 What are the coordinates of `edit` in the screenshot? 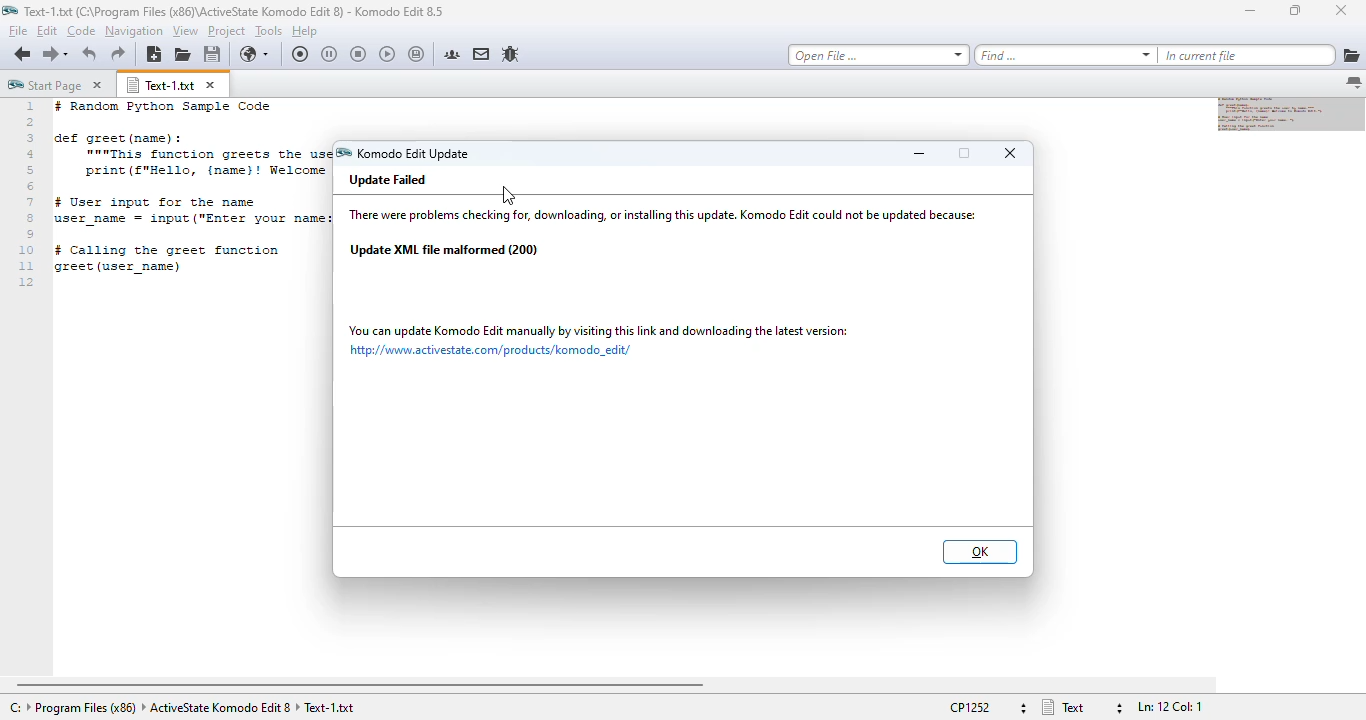 It's located at (46, 30).